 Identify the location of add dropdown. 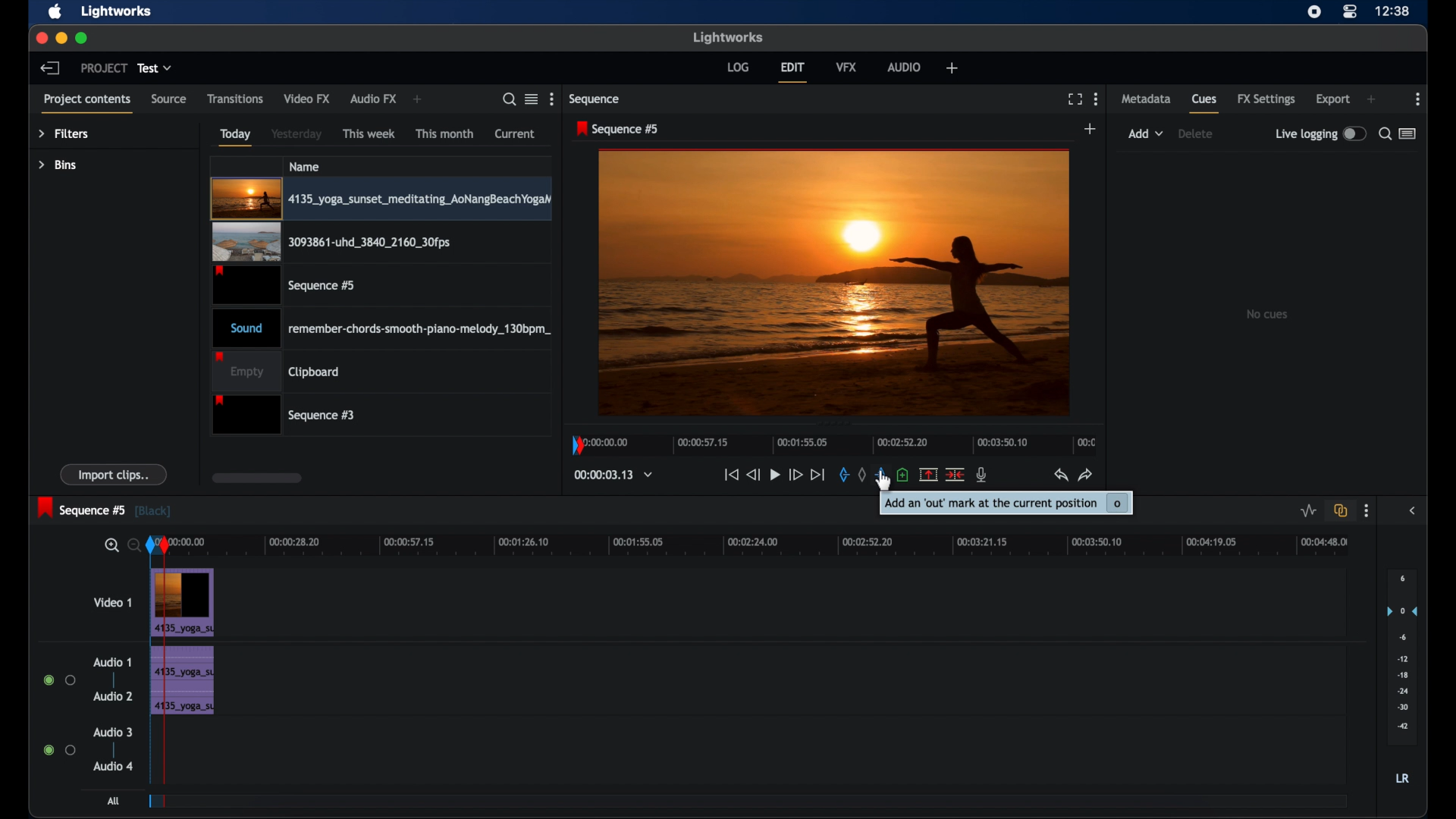
(1146, 133).